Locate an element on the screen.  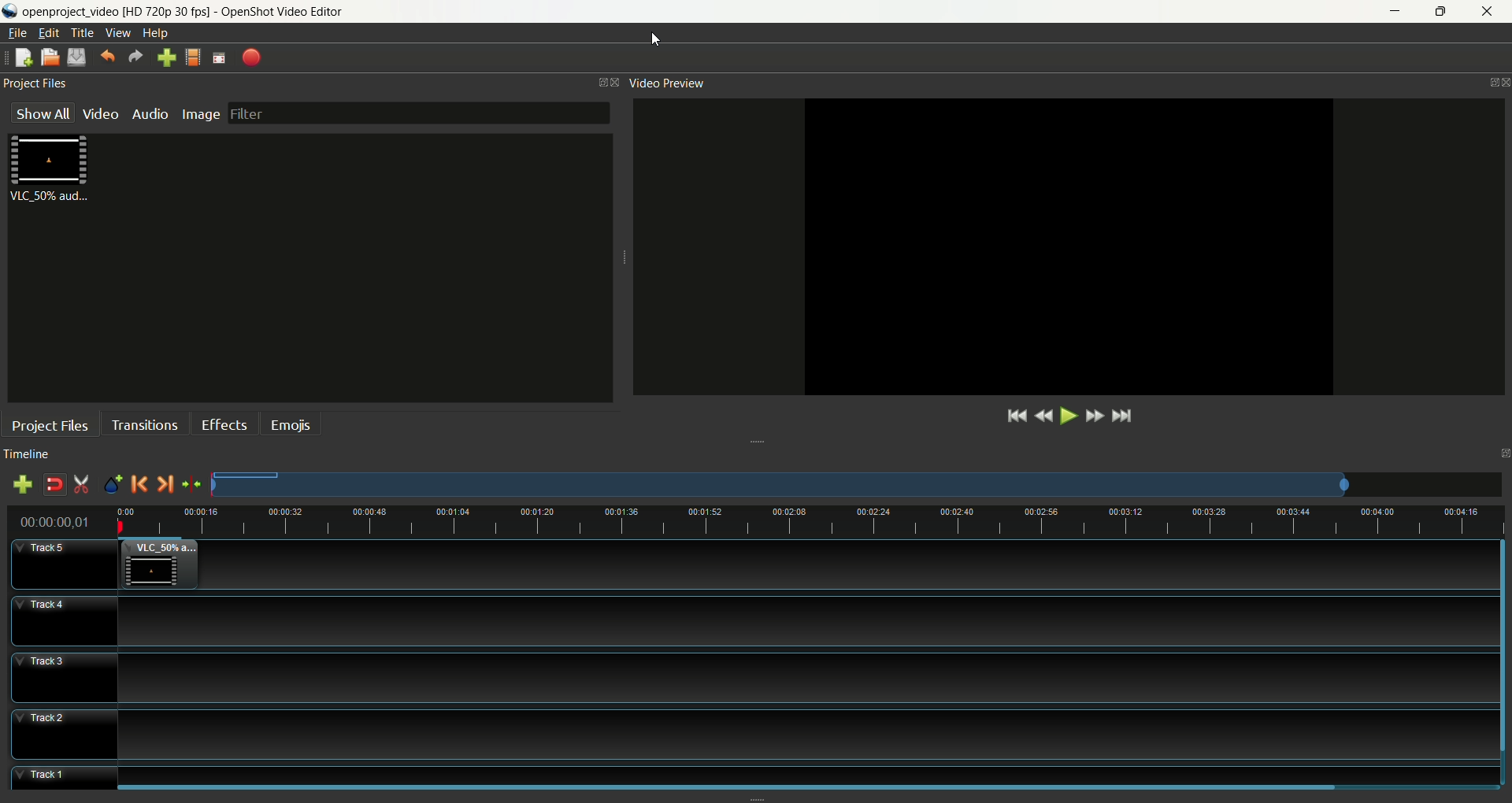
view is located at coordinates (120, 33).